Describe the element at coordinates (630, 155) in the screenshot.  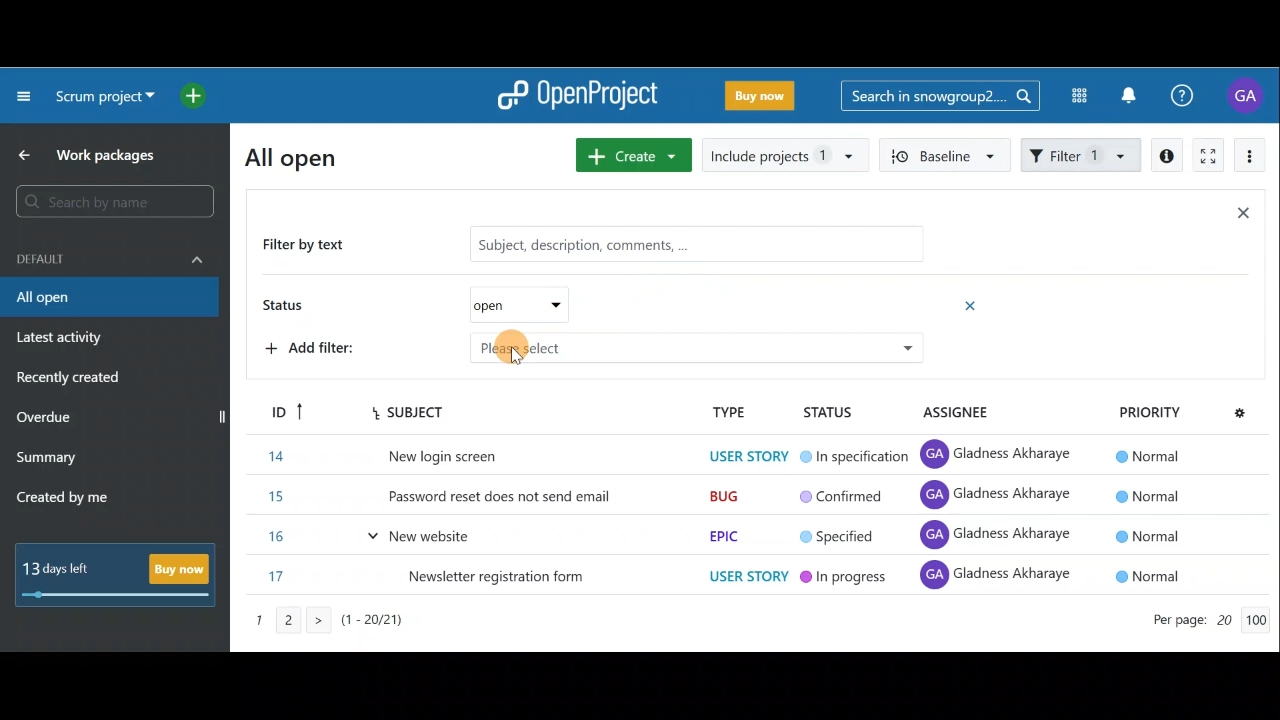
I see `Create` at that location.